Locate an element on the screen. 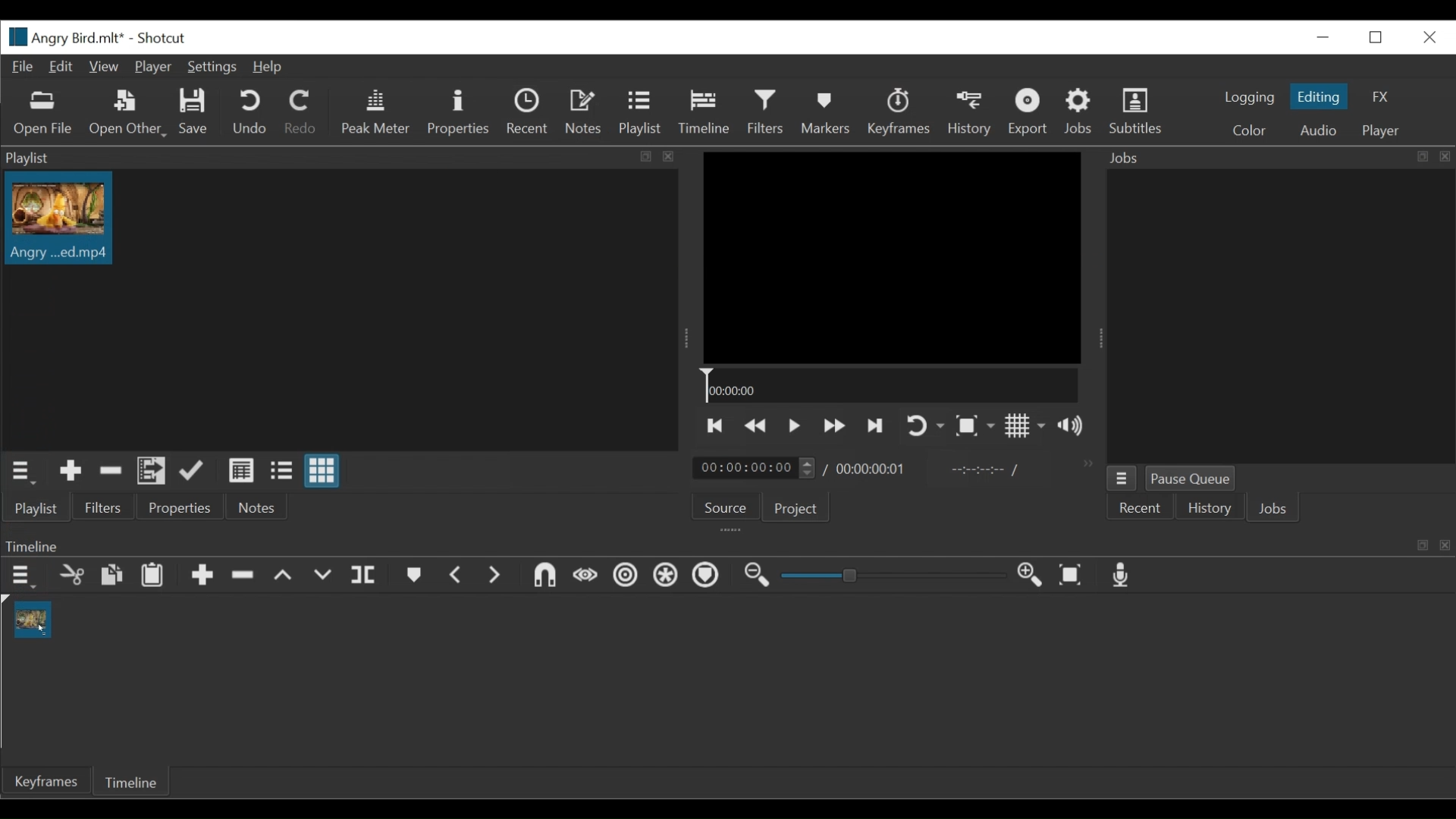 The width and height of the screenshot is (1456, 819). Scrub while dragging is located at coordinates (586, 576).